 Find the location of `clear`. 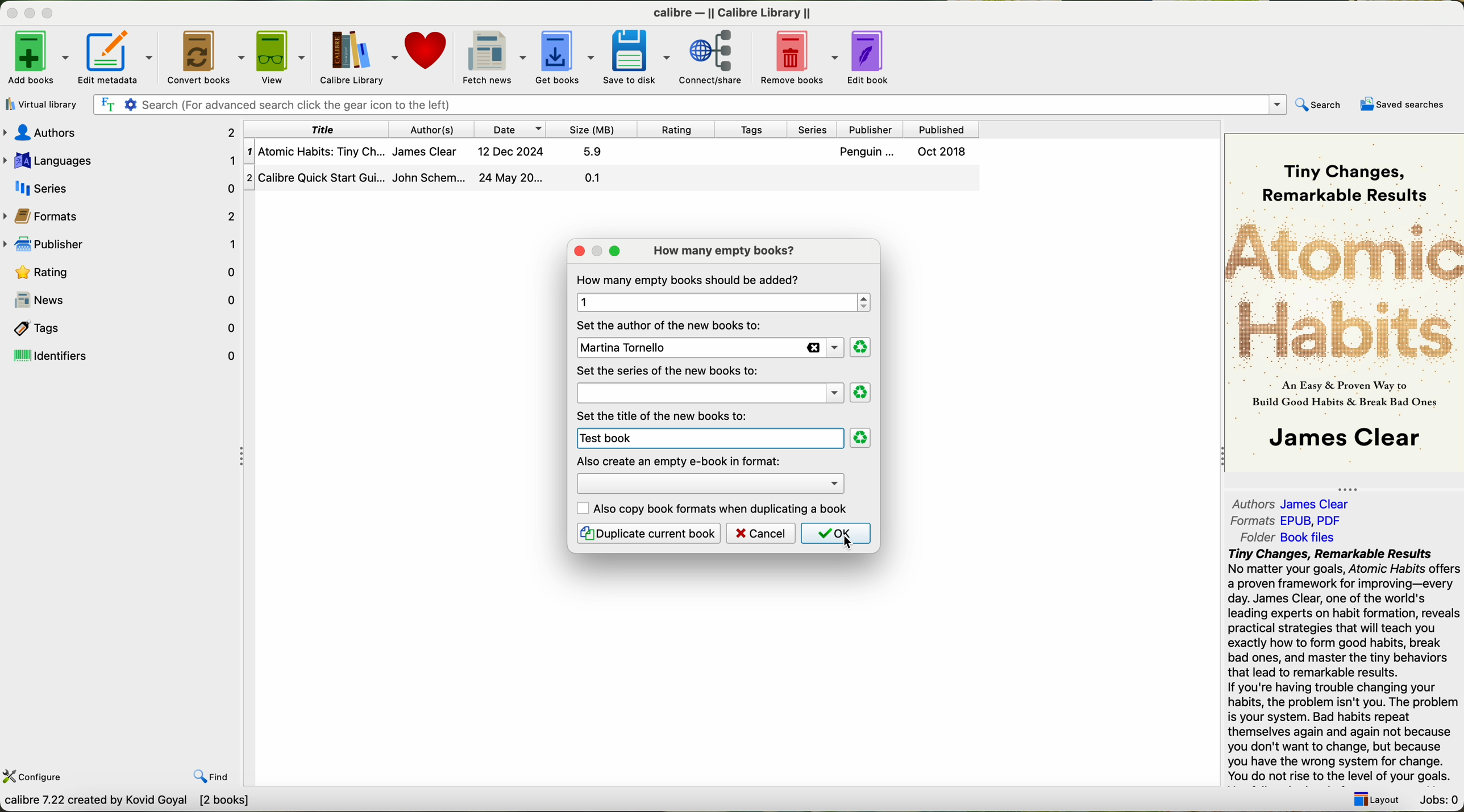

clear is located at coordinates (861, 438).